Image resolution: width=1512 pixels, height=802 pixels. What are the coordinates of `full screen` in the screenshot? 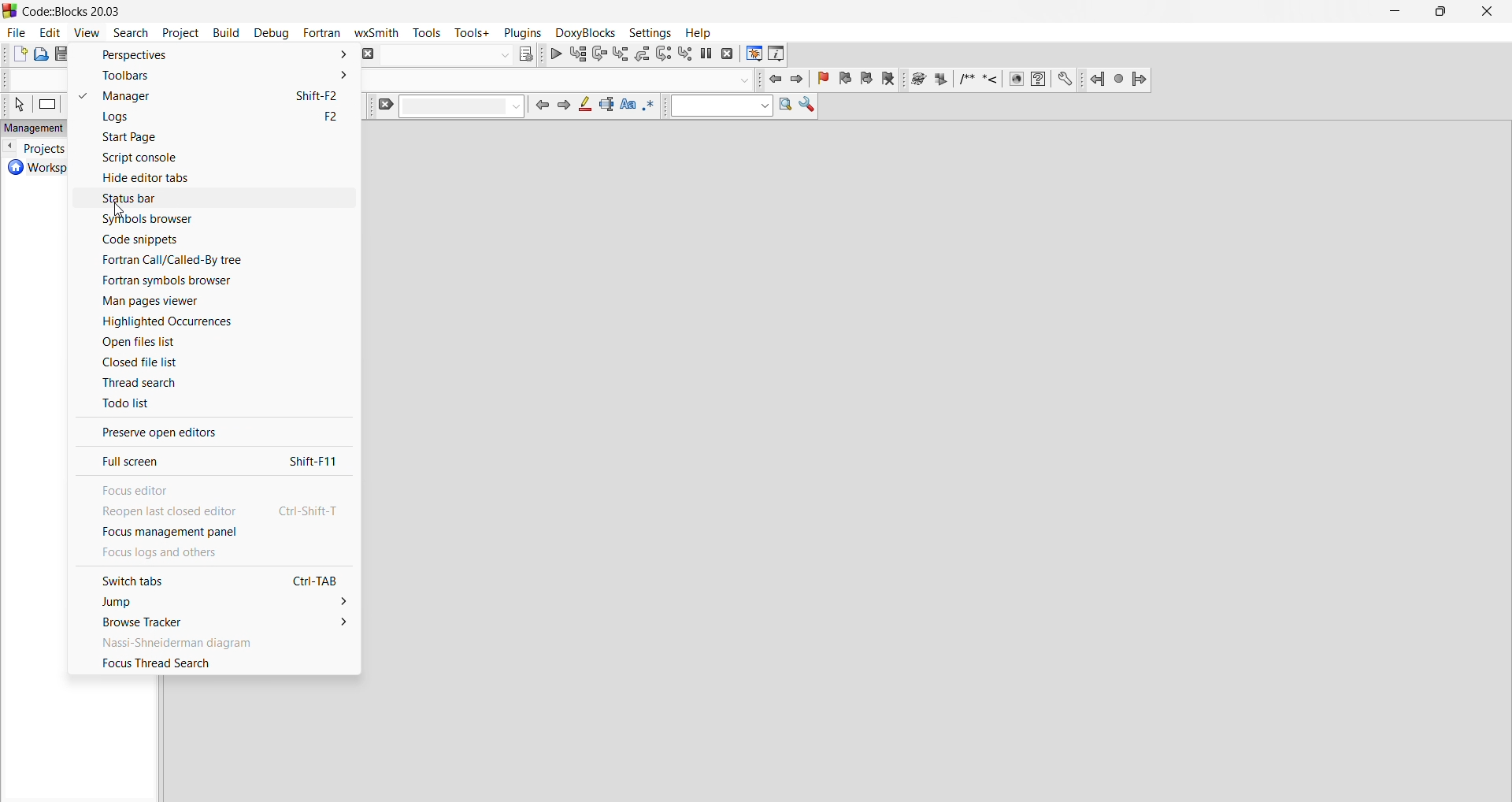 It's located at (213, 459).